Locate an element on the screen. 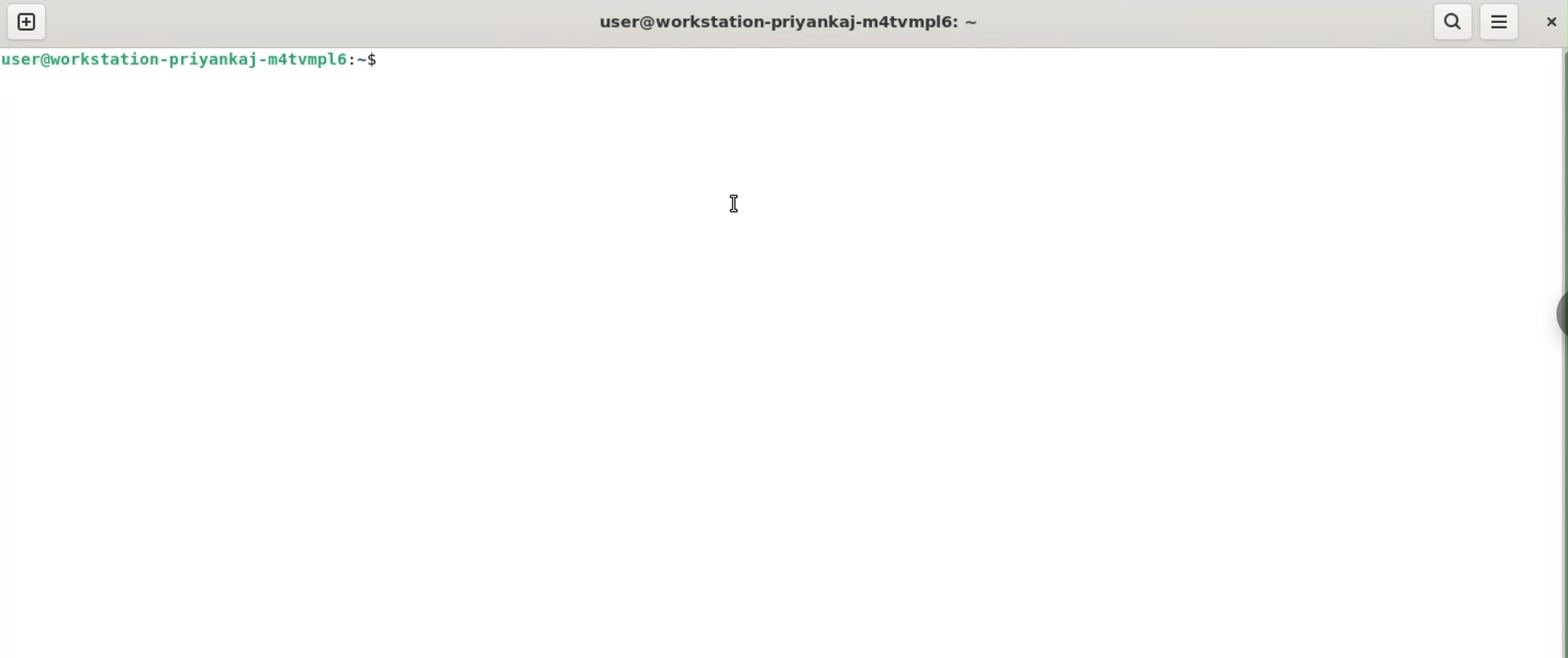 The height and width of the screenshot is (658, 1568). menu is located at coordinates (1499, 21).